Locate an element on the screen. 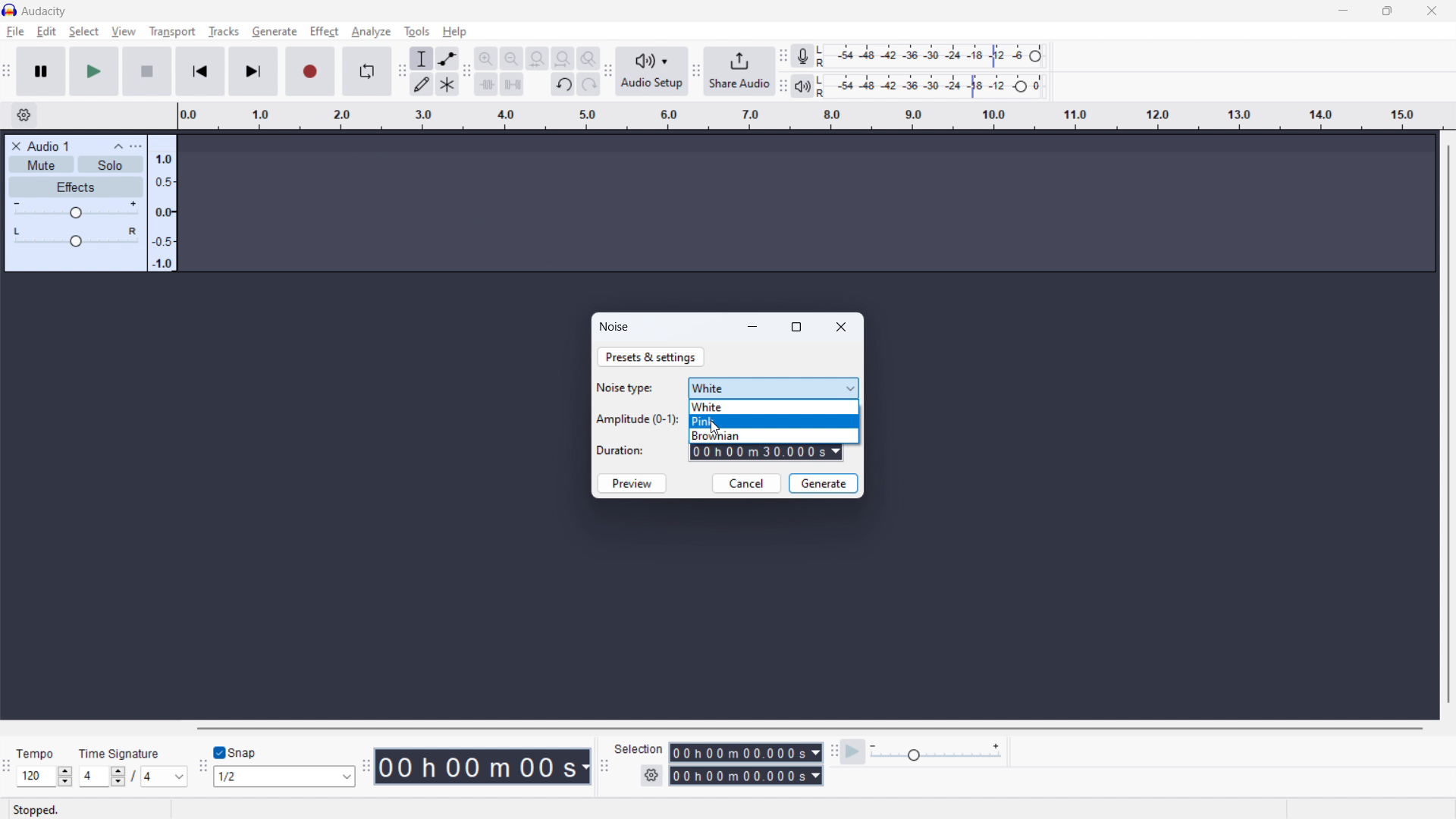  audio setup toolbar is located at coordinates (607, 71).